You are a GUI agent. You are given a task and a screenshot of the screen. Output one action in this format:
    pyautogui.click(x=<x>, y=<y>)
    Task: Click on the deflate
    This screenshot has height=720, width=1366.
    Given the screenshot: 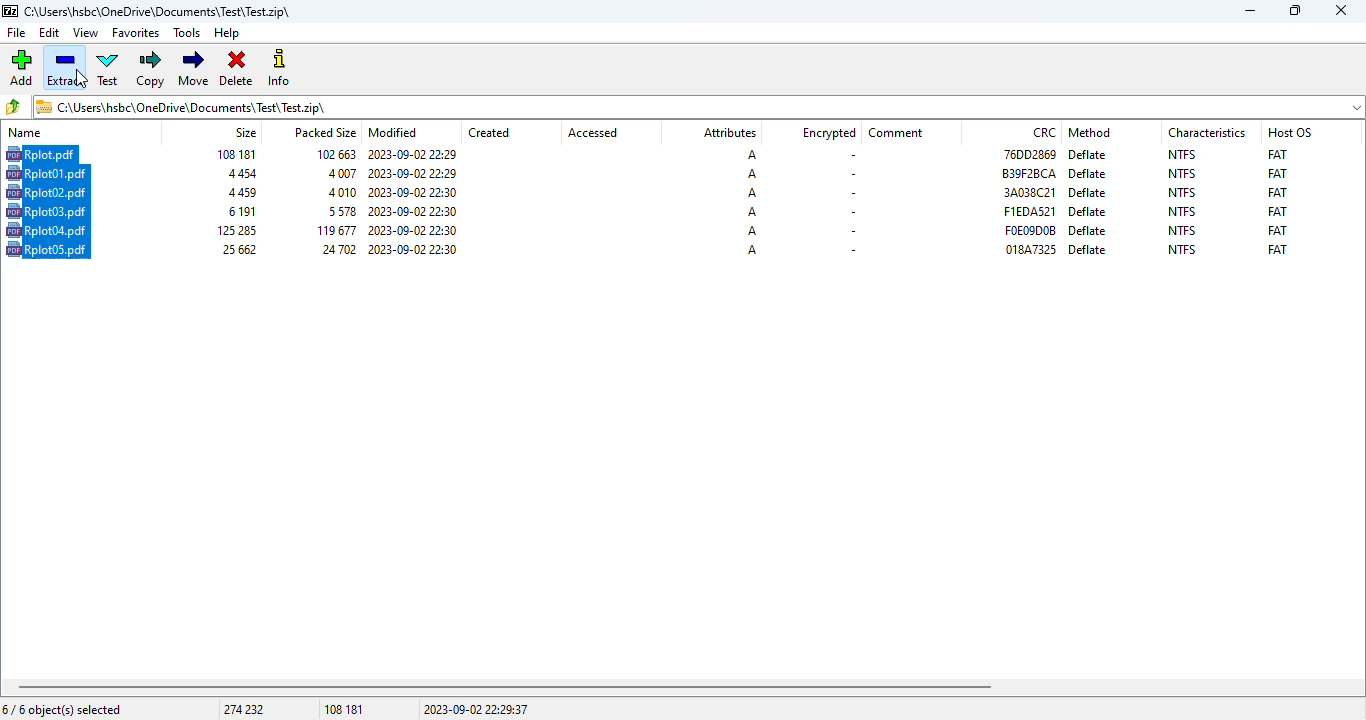 What is the action you would take?
    pyautogui.click(x=1087, y=212)
    